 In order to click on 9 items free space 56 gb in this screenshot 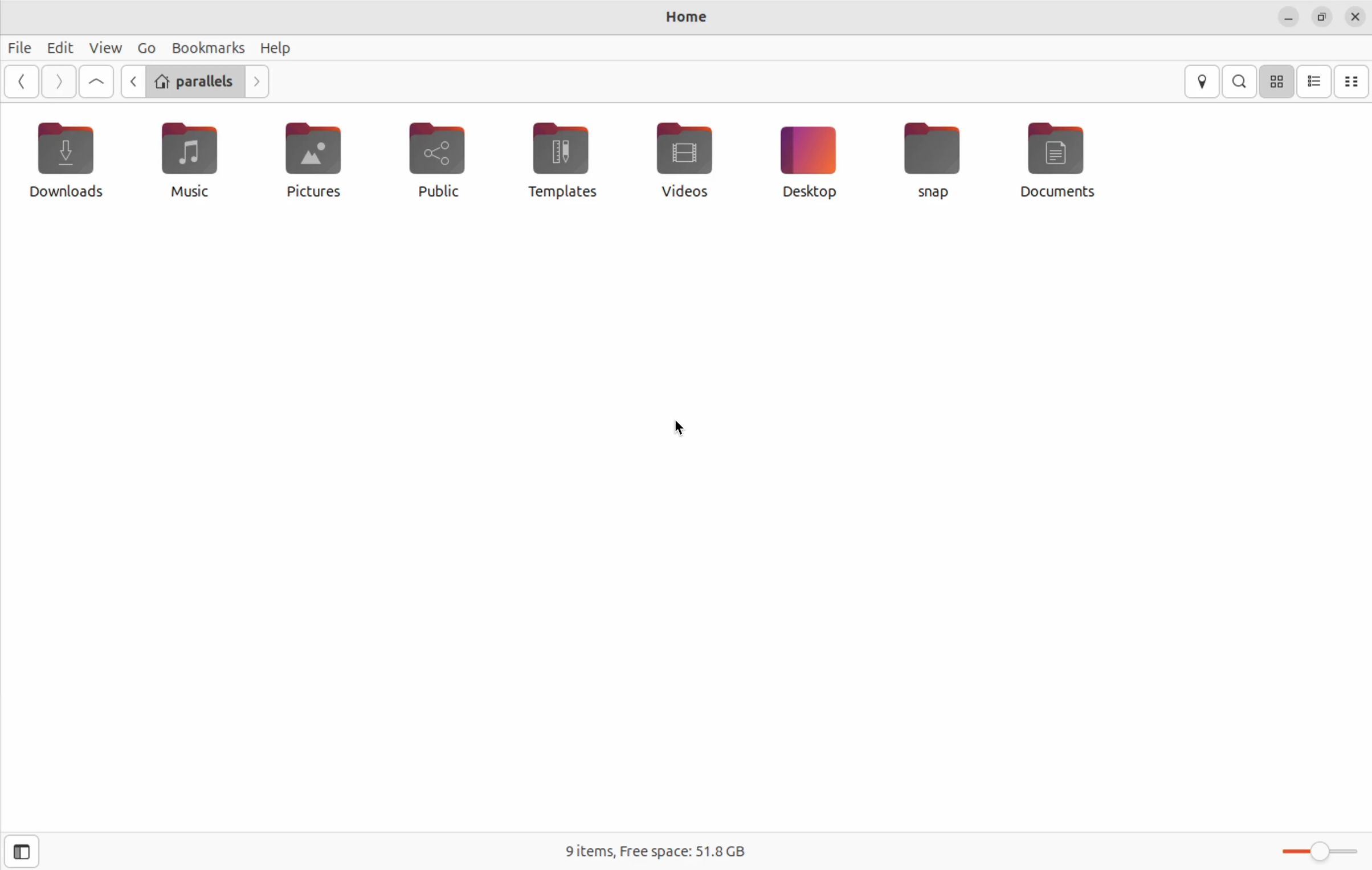, I will do `click(663, 850)`.